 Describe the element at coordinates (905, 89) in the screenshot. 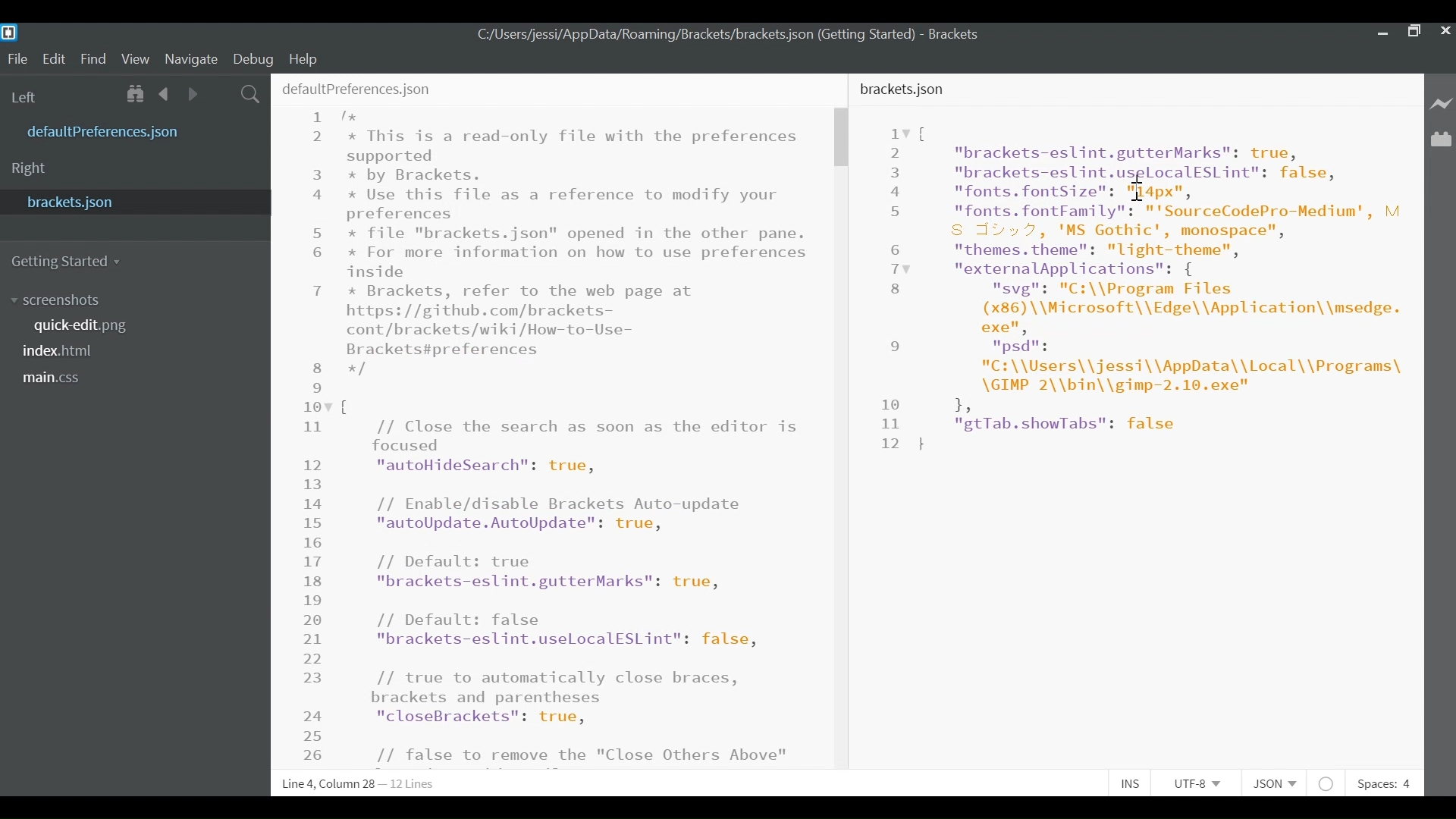

I see `bracket.json` at that location.